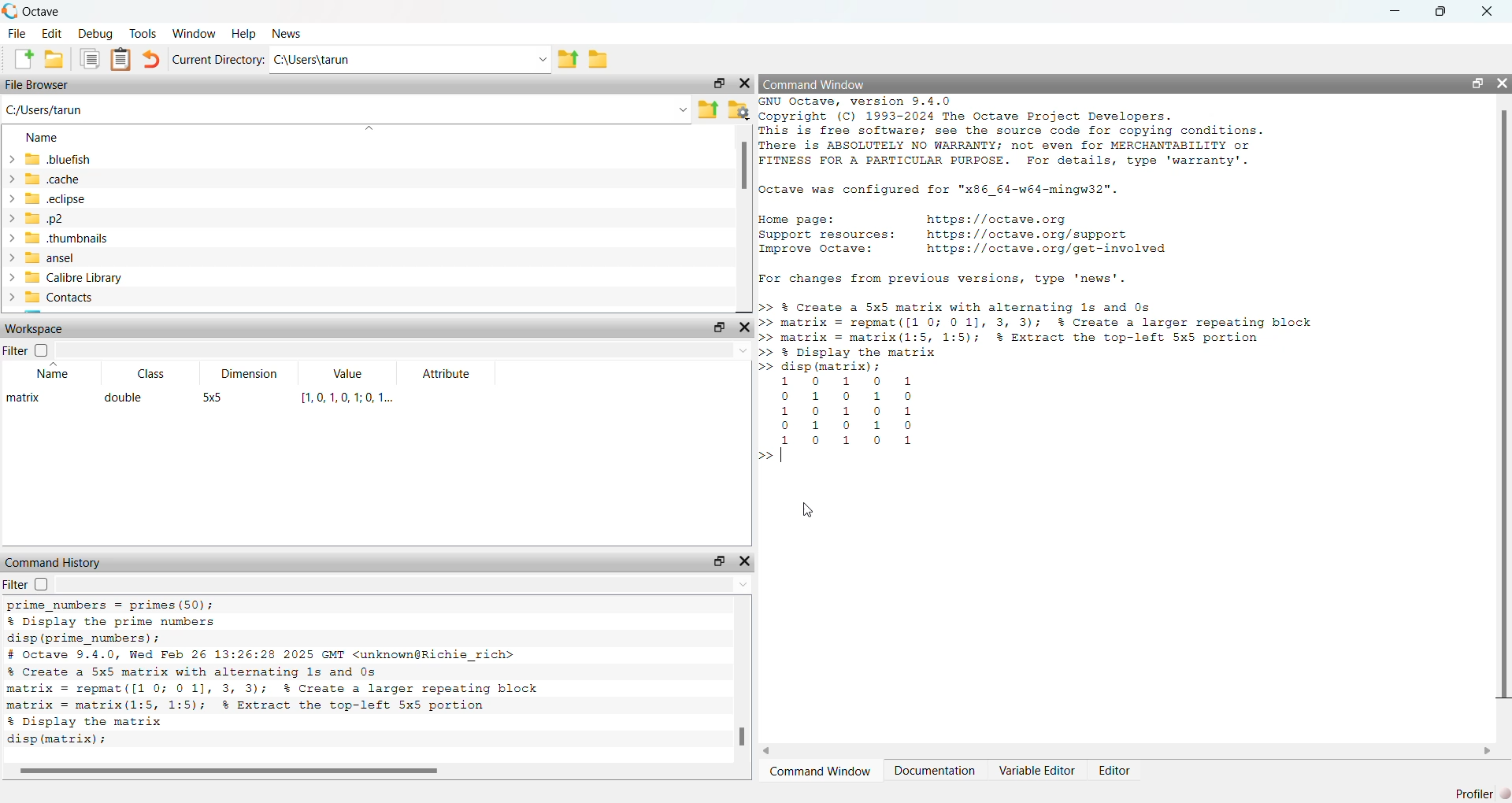 This screenshot has width=1512, height=803. Describe the element at coordinates (349, 398) in the screenshot. I see `[1,0,1,0,1;0,1...` at that location.